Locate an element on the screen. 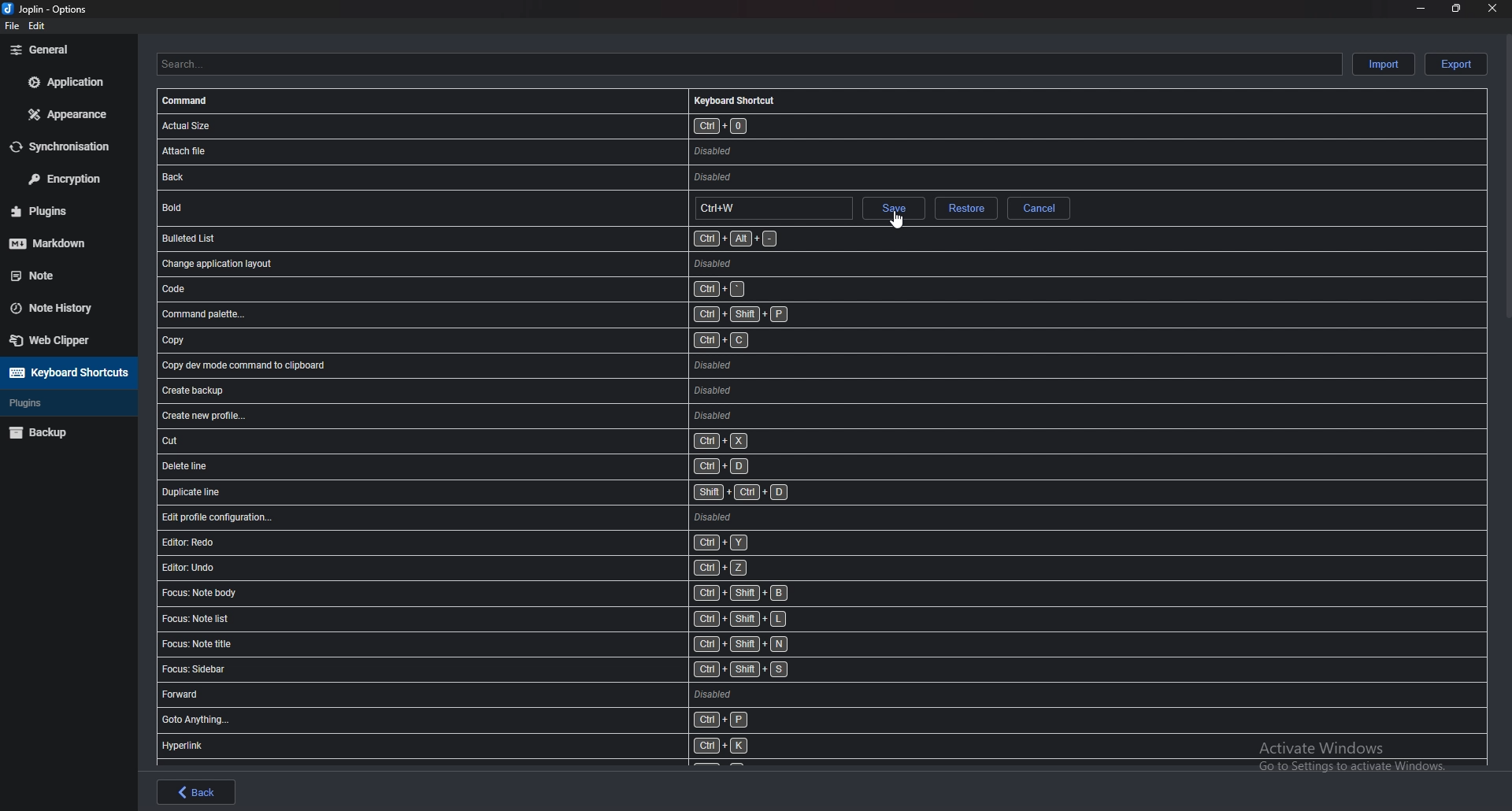 The image size is (1512, 811). Plugins is located at coordinates (57, 211).